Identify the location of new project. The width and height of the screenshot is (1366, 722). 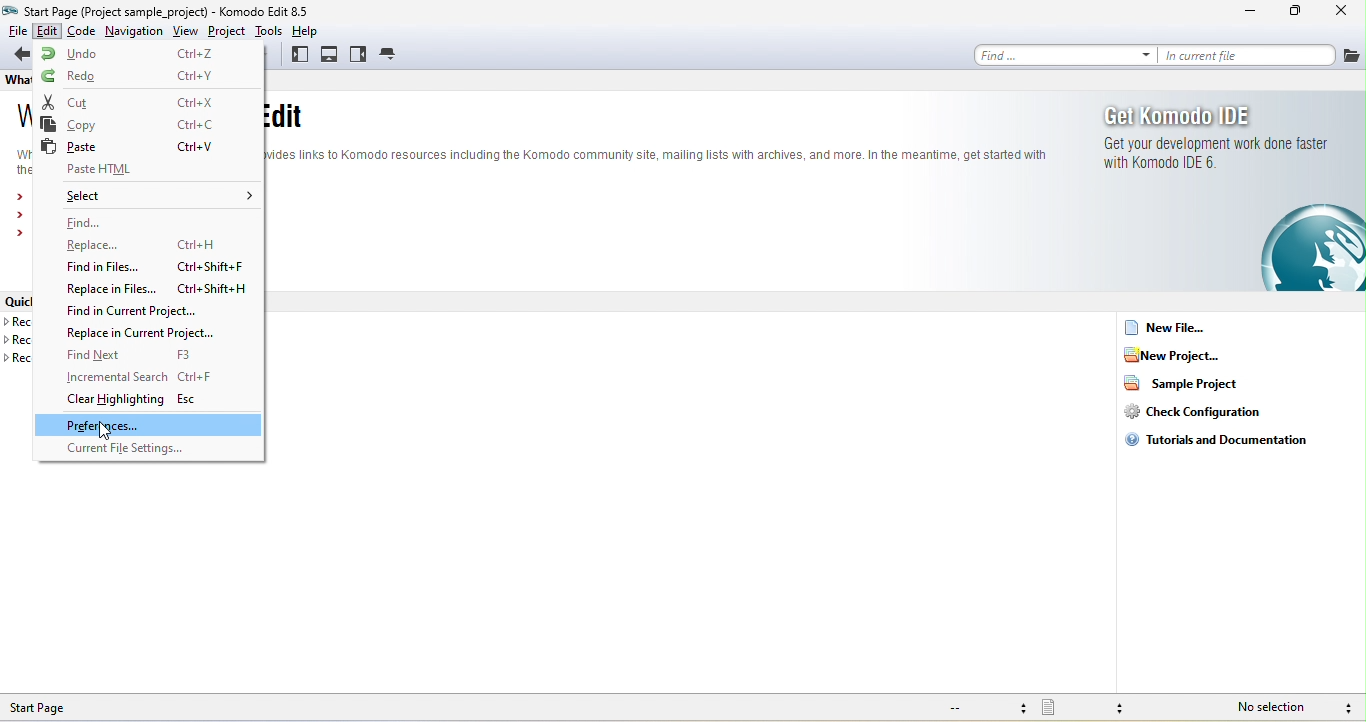
(1181, 353).